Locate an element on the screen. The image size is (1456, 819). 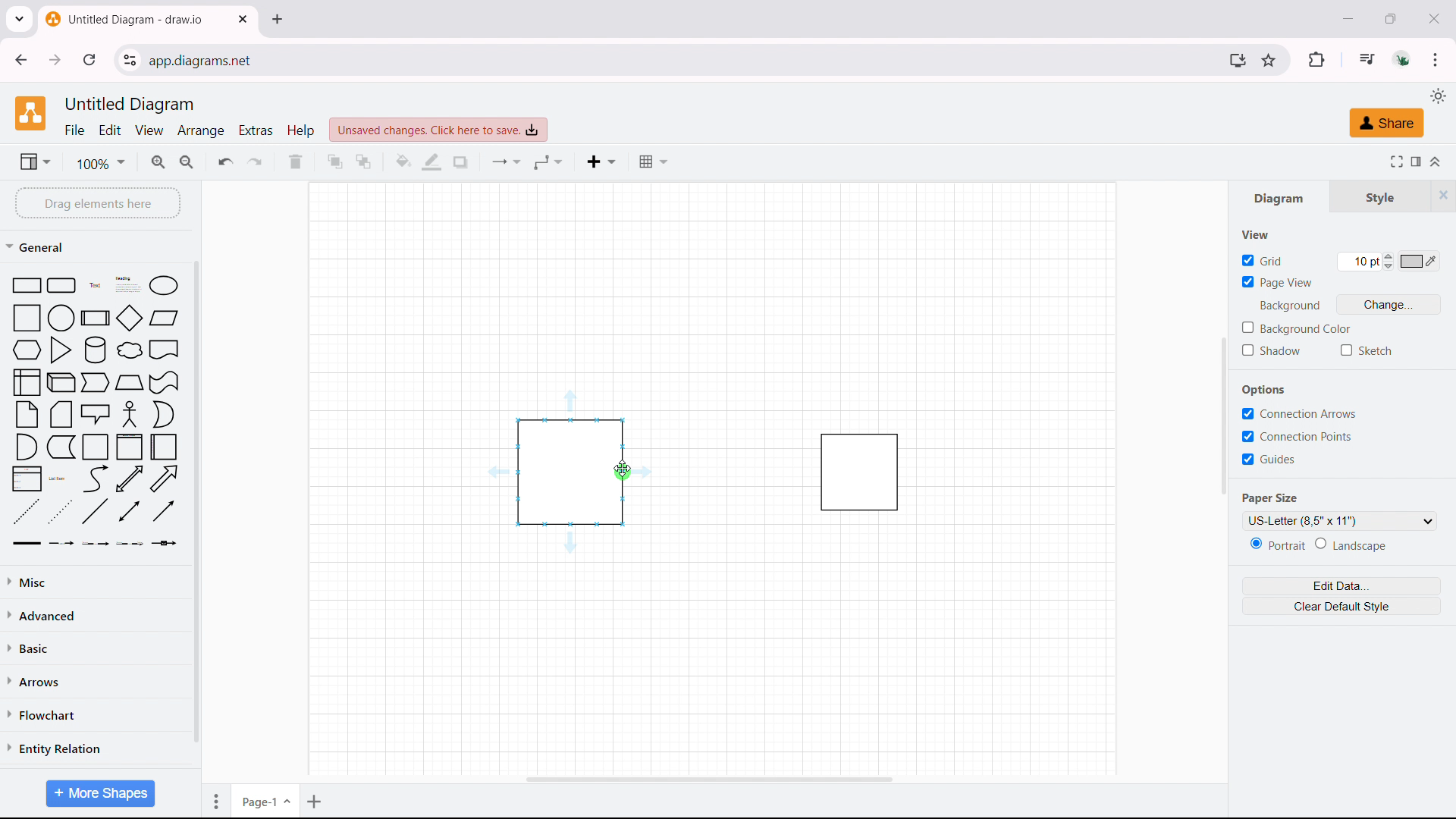
paper size is located at coordinates (1338, 519).